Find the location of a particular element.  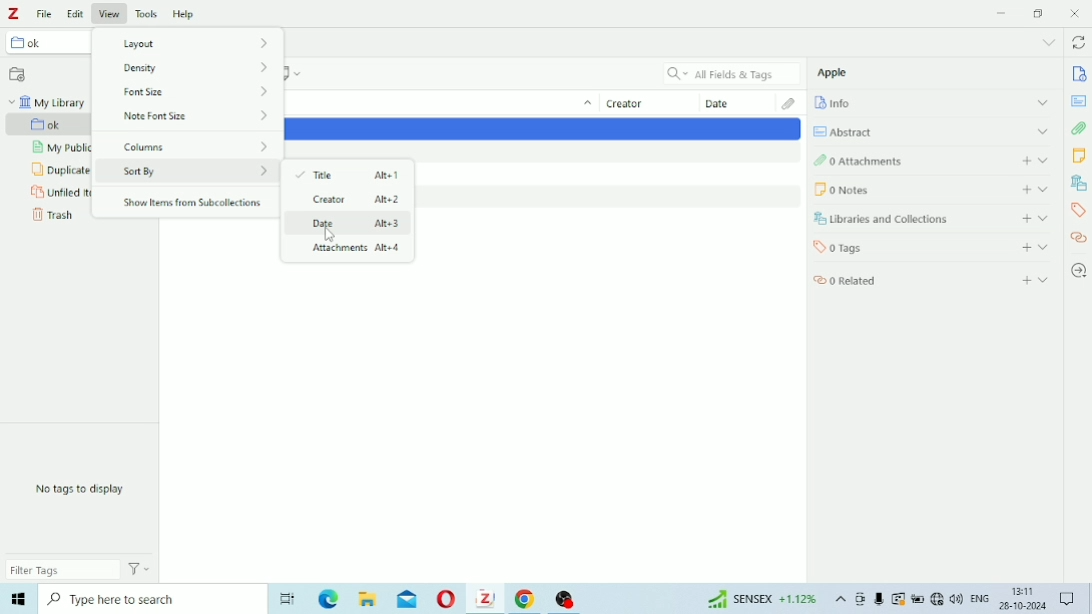

Locate is located at coordinates (1080, 270).